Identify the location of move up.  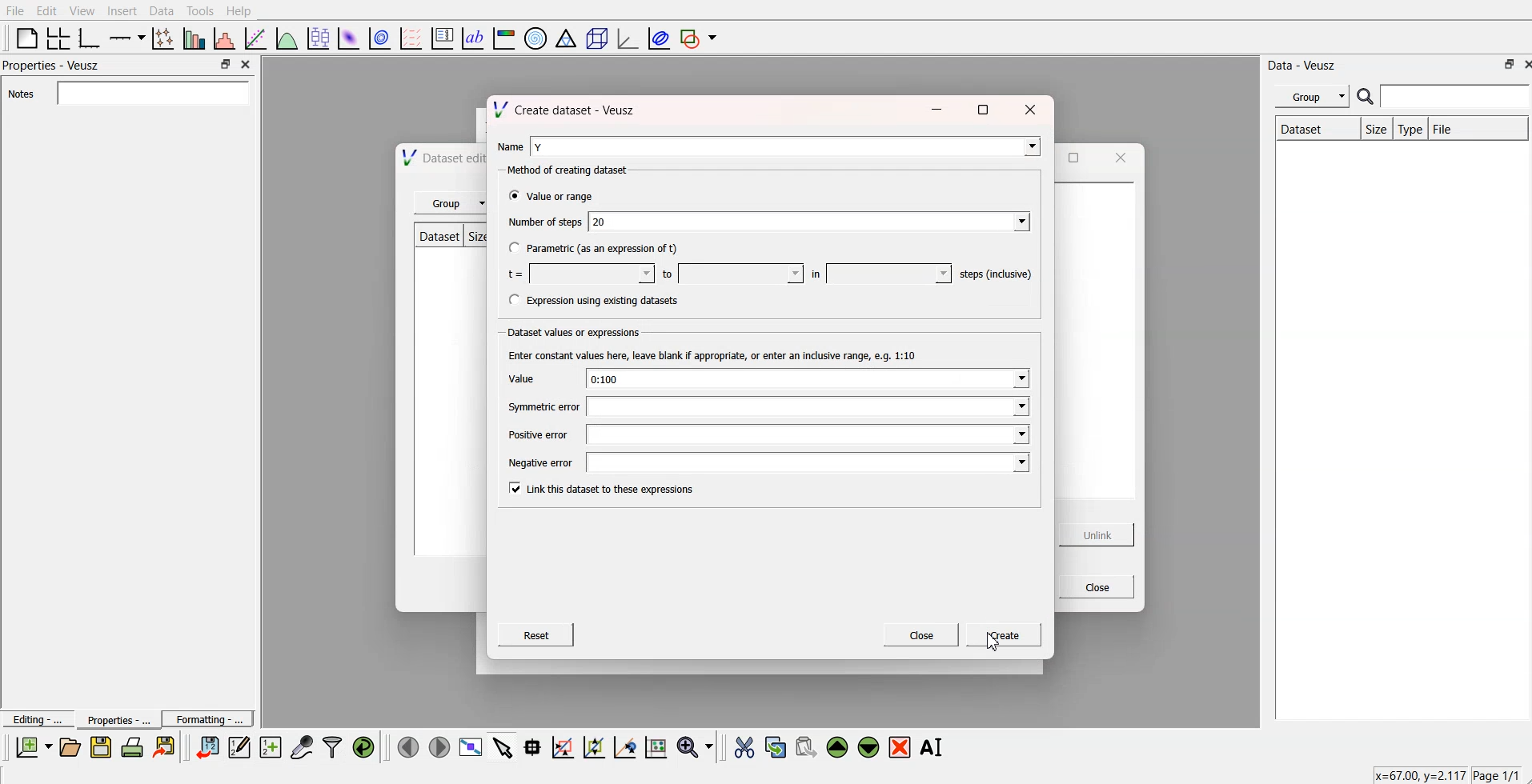
(839, 746).